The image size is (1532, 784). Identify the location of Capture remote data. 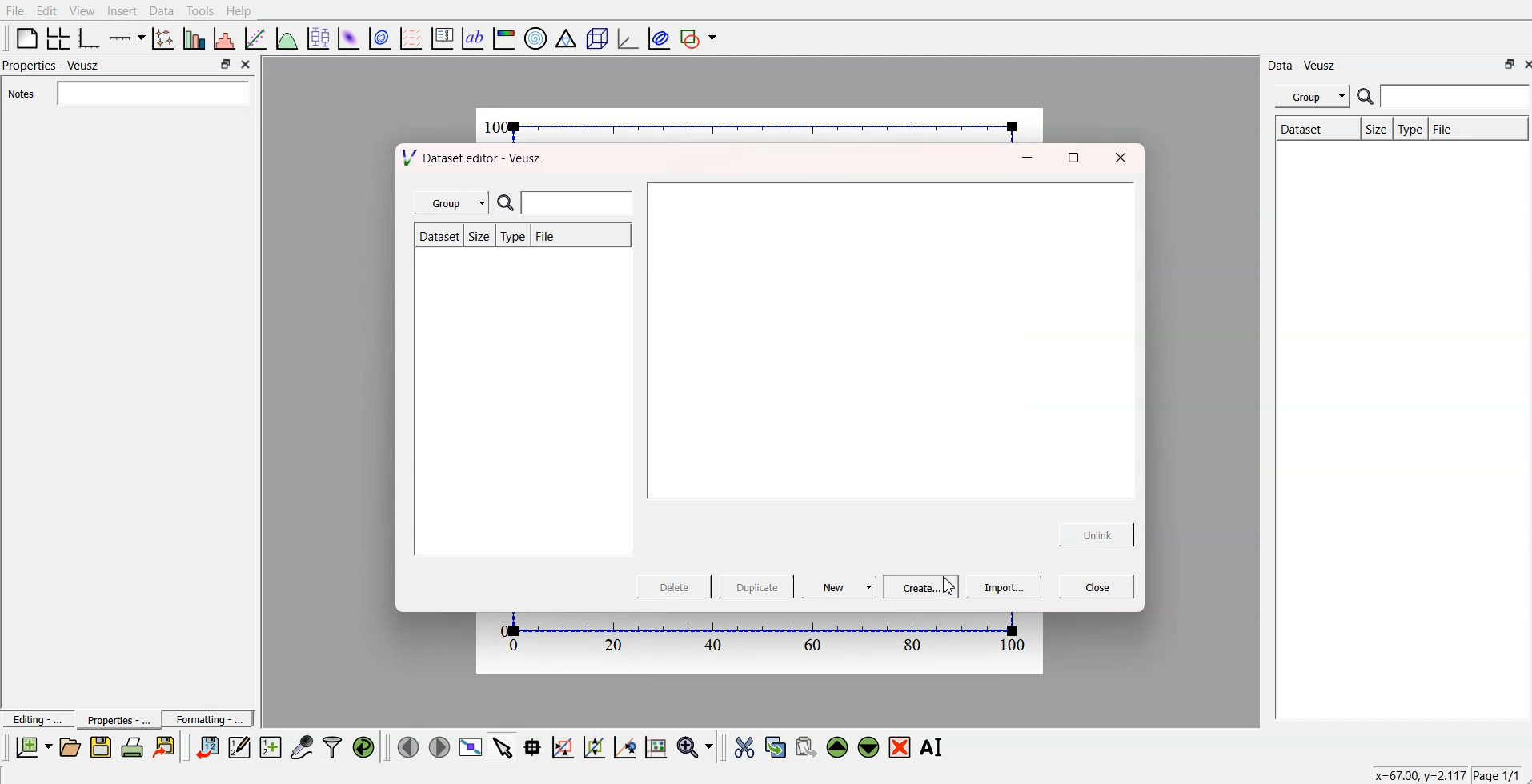
(303, 746).